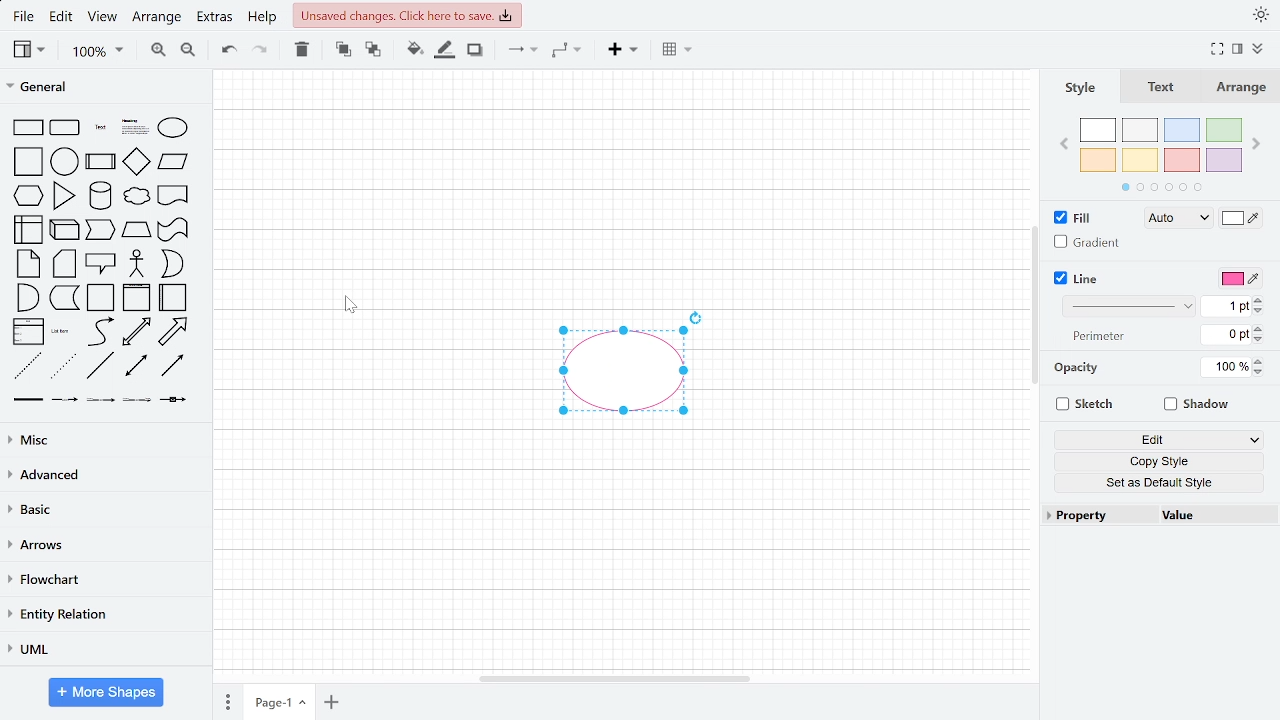 The width and height of the screenshot is (1280, 720). I want to click on line, so click(99, 366).